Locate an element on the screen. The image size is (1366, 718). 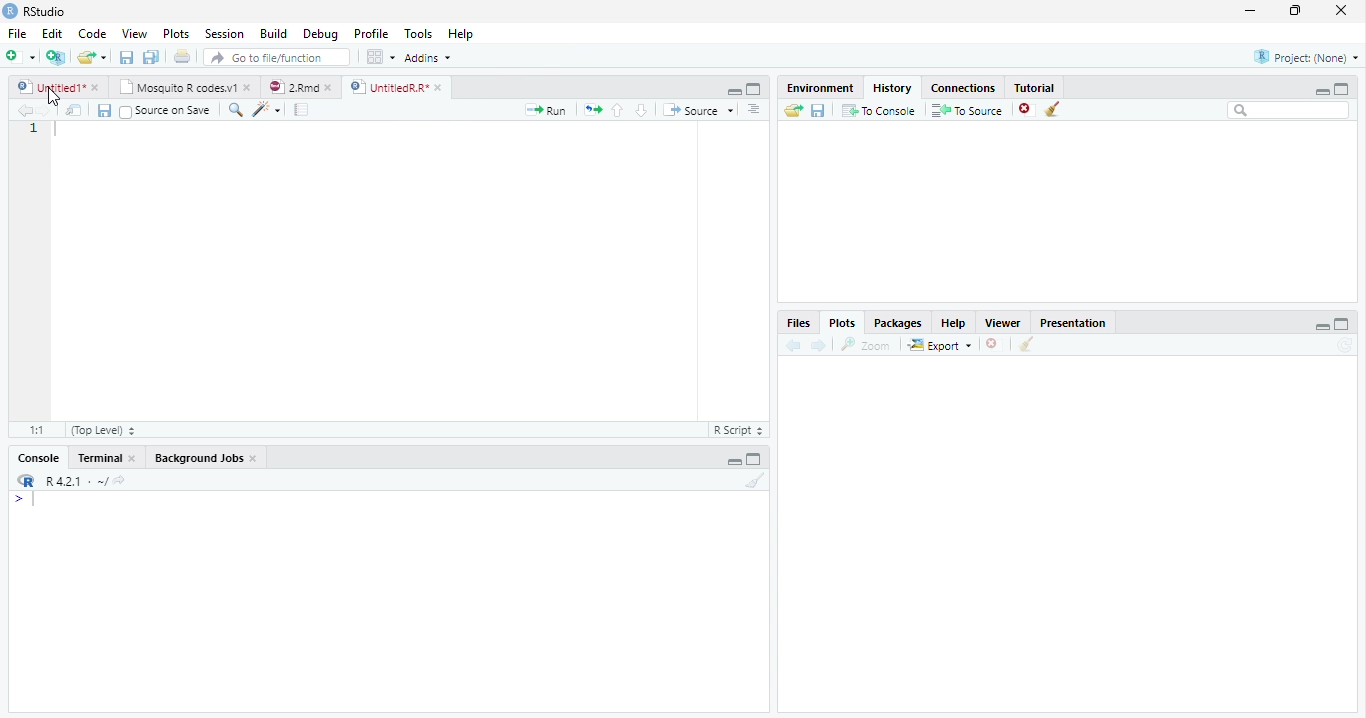
Console is located at coordinates (40, 457).